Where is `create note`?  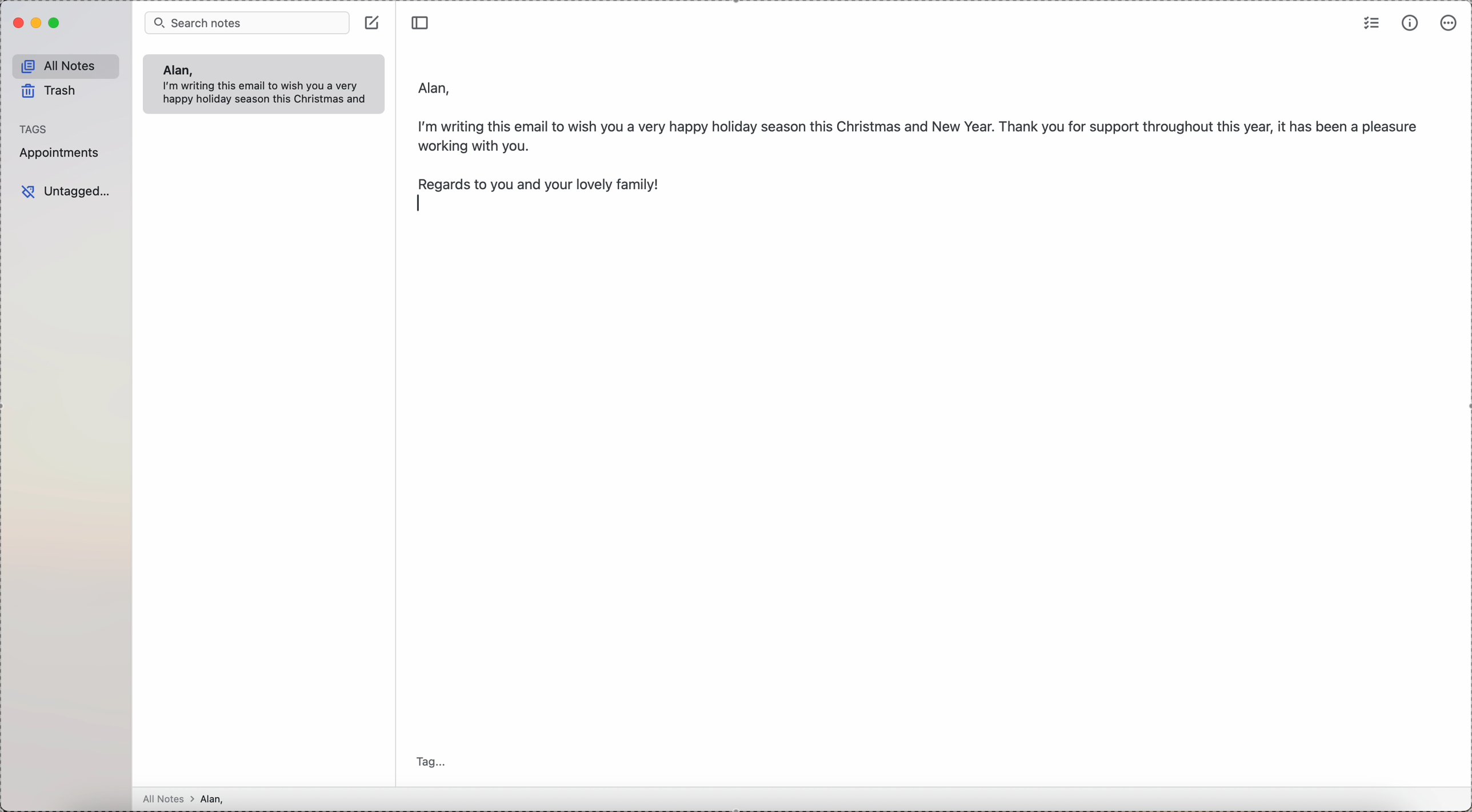 create note is located at coordinates (374, 22).